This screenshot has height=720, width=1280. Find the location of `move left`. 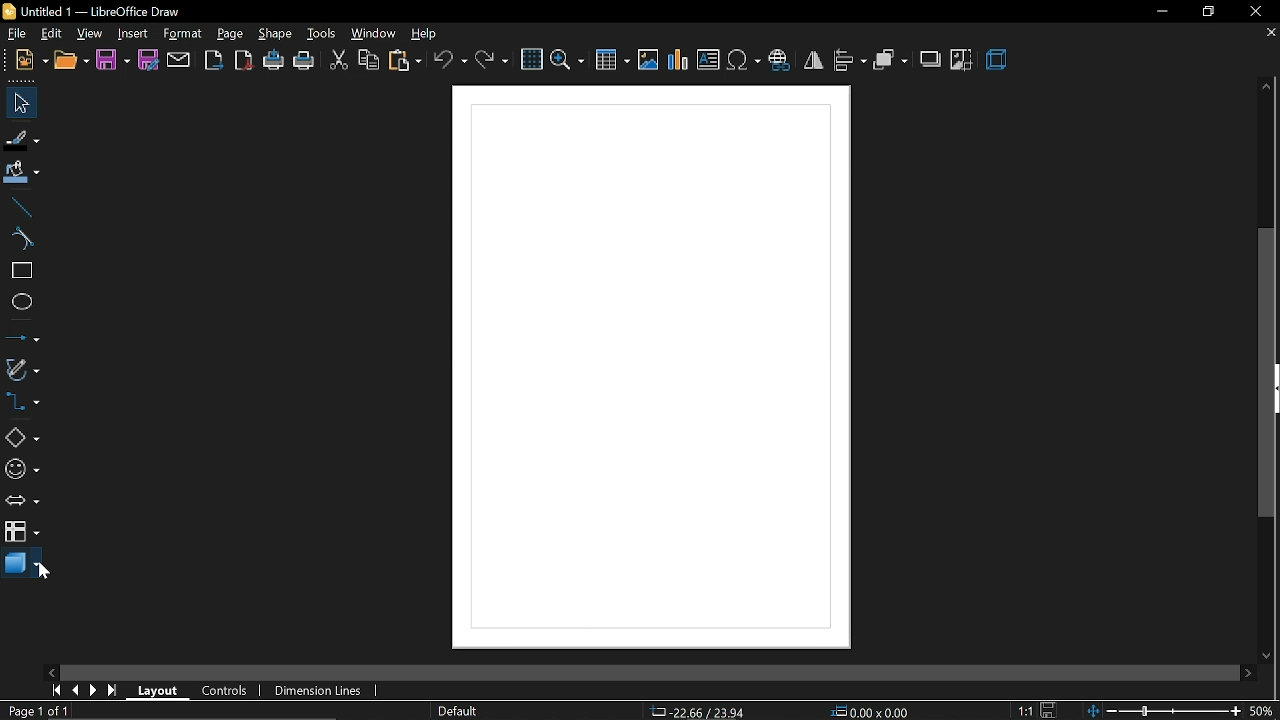

move left is located at coordinates (53, 673).